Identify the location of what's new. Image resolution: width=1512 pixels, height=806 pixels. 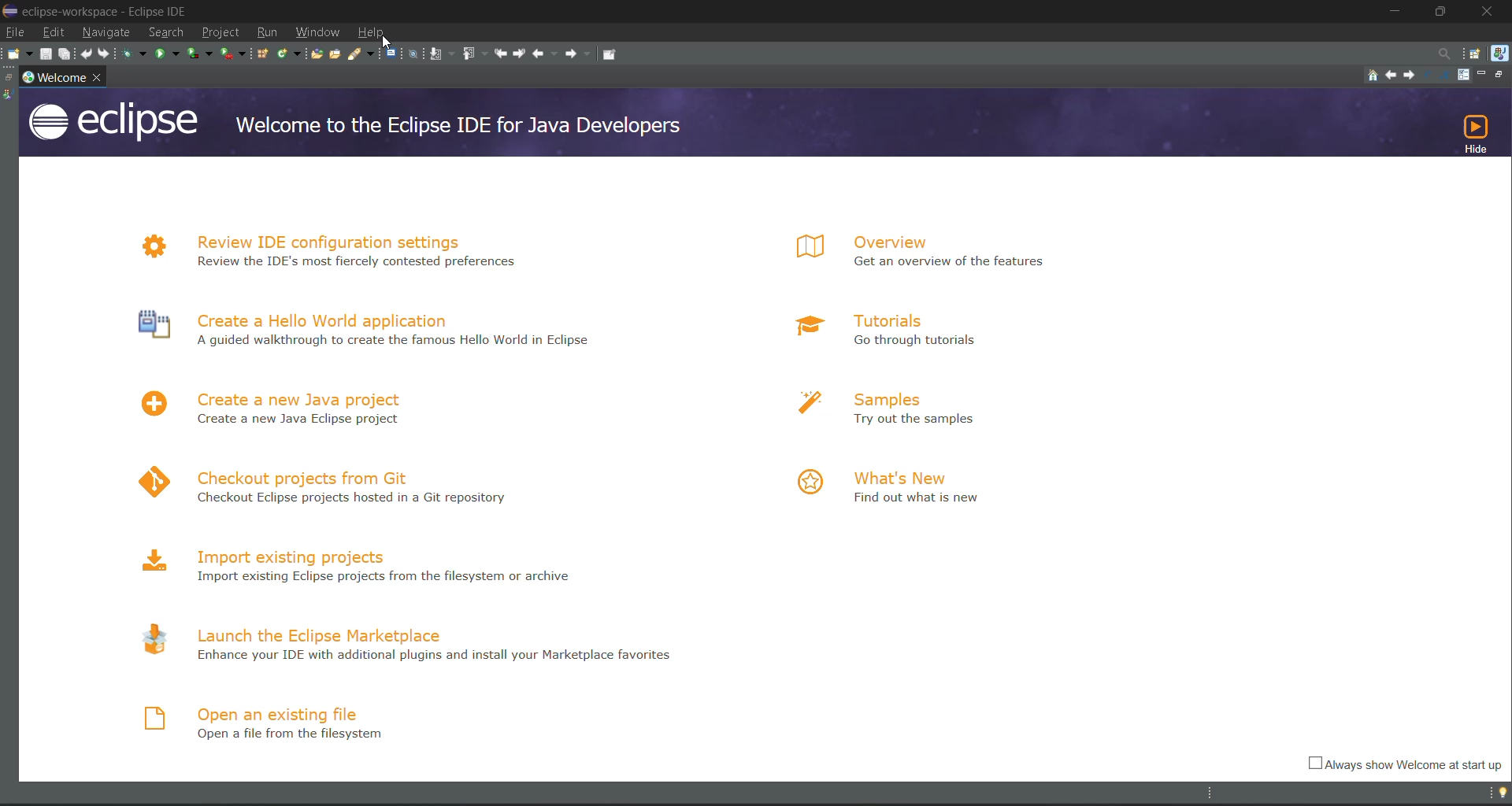
(888, 479).